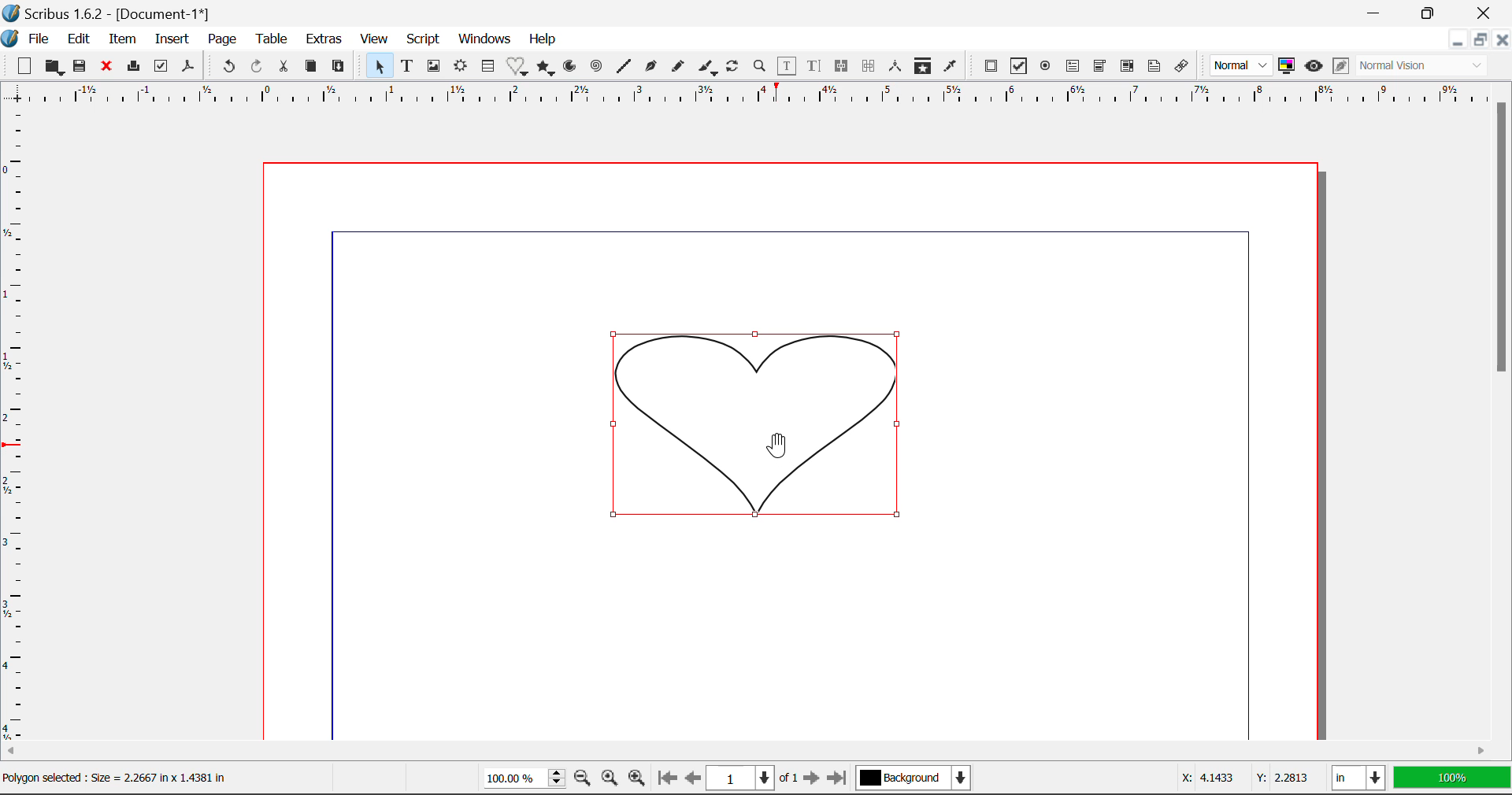  I want to click on Polygons, so click(547, 68).